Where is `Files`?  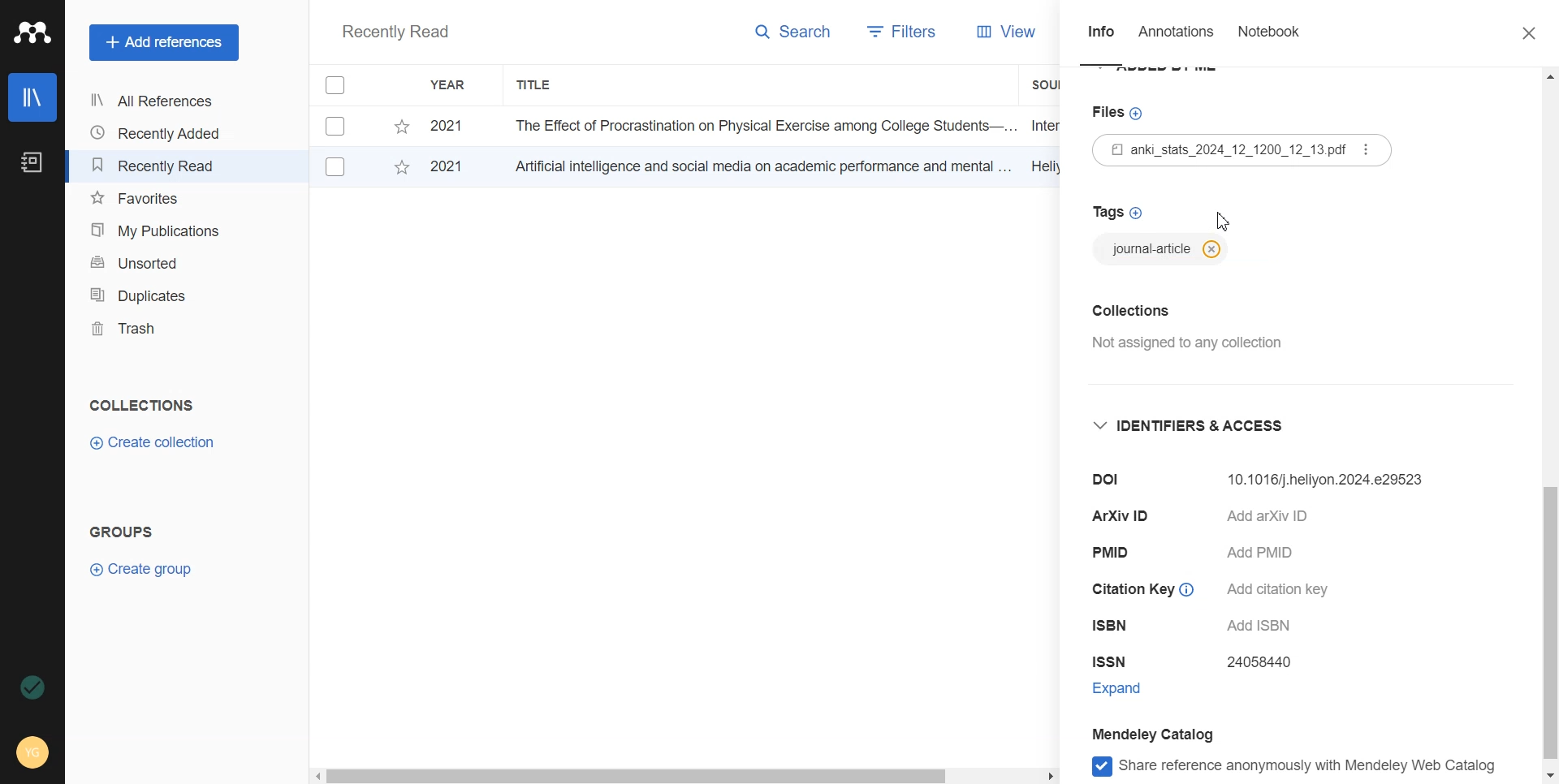
Files is located at coordinates (1121, 114).